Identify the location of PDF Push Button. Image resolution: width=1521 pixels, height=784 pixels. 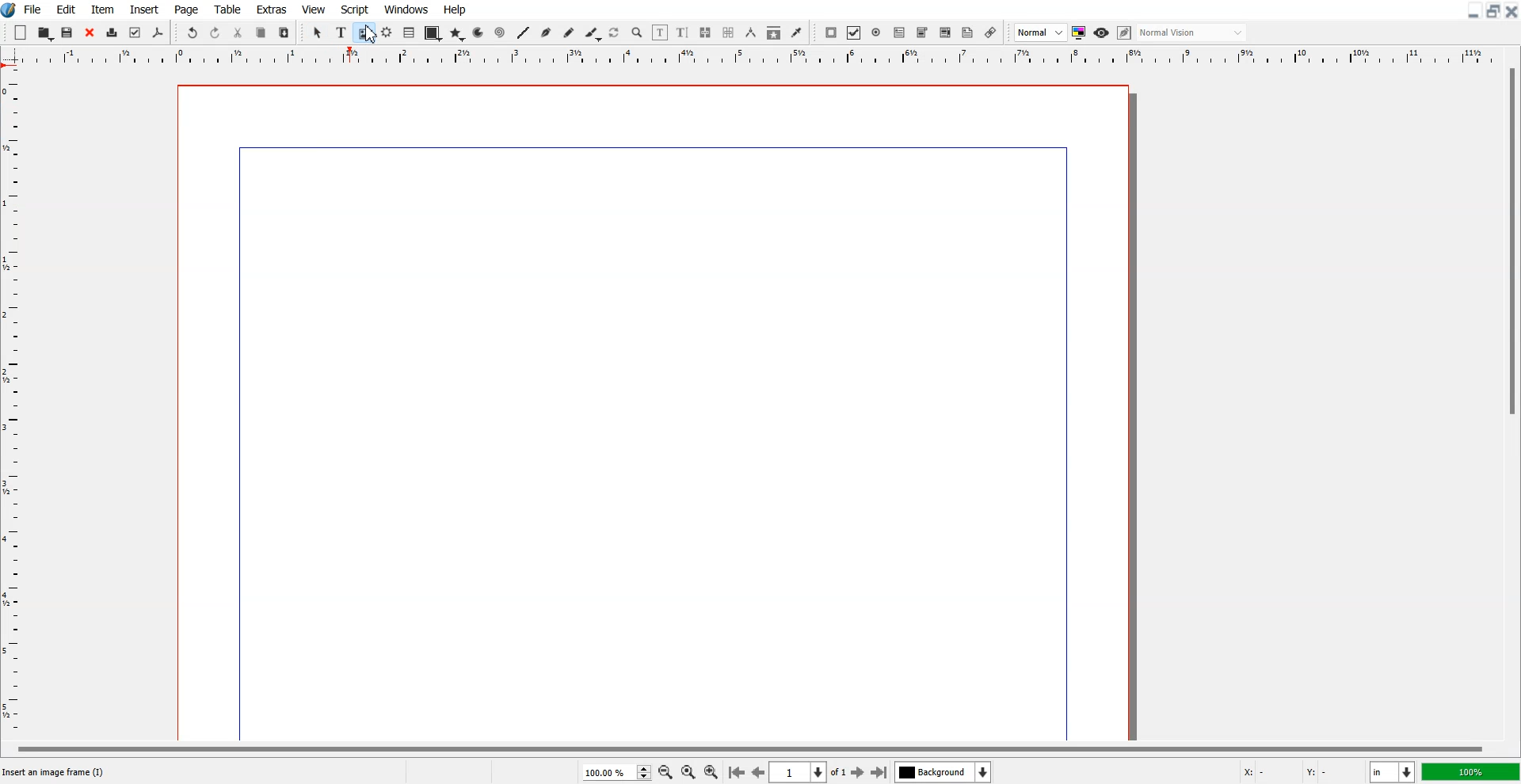
(832, 32).